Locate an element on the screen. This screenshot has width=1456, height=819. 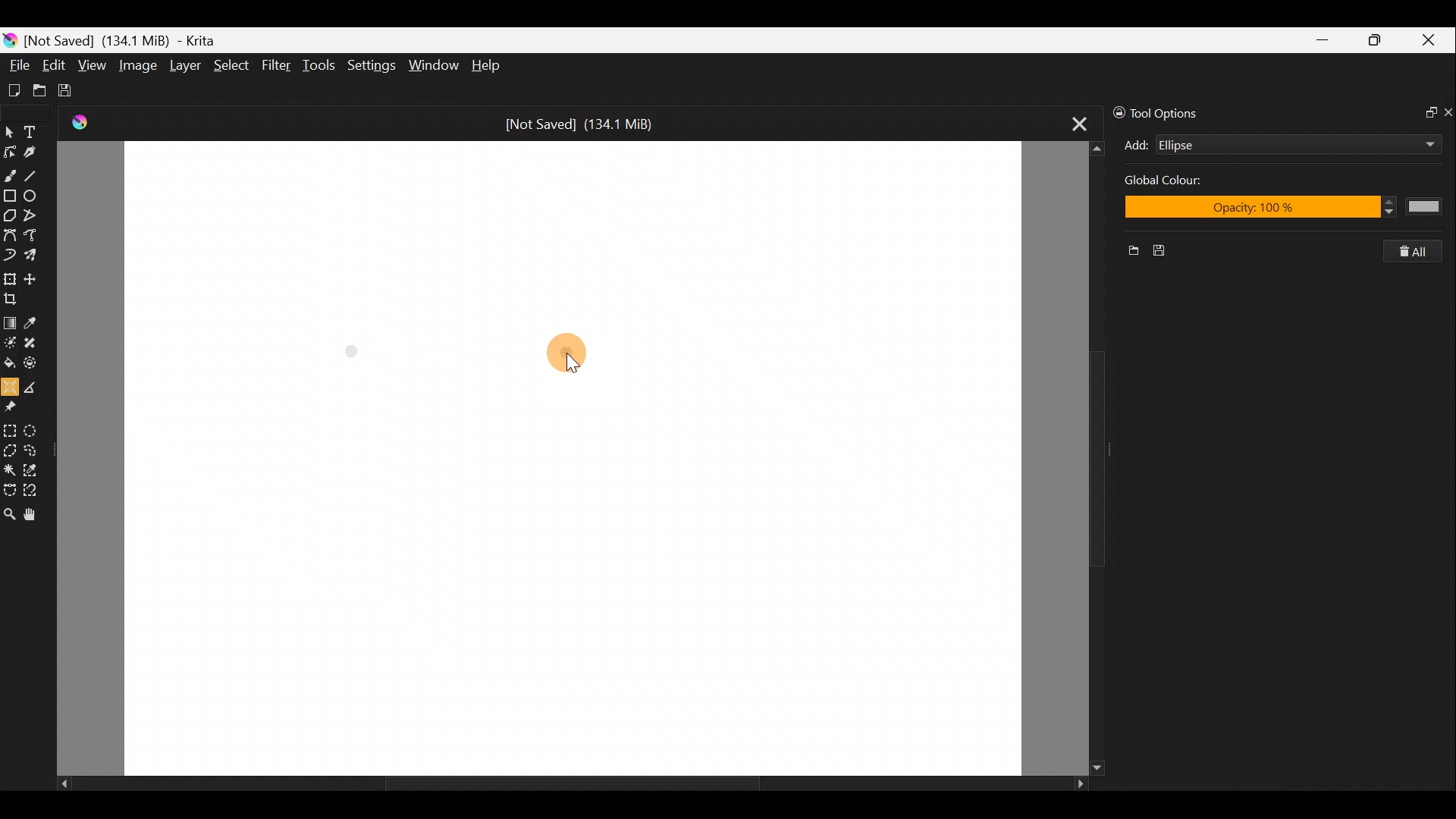
Krita logo is located at coordinates (9, 39).